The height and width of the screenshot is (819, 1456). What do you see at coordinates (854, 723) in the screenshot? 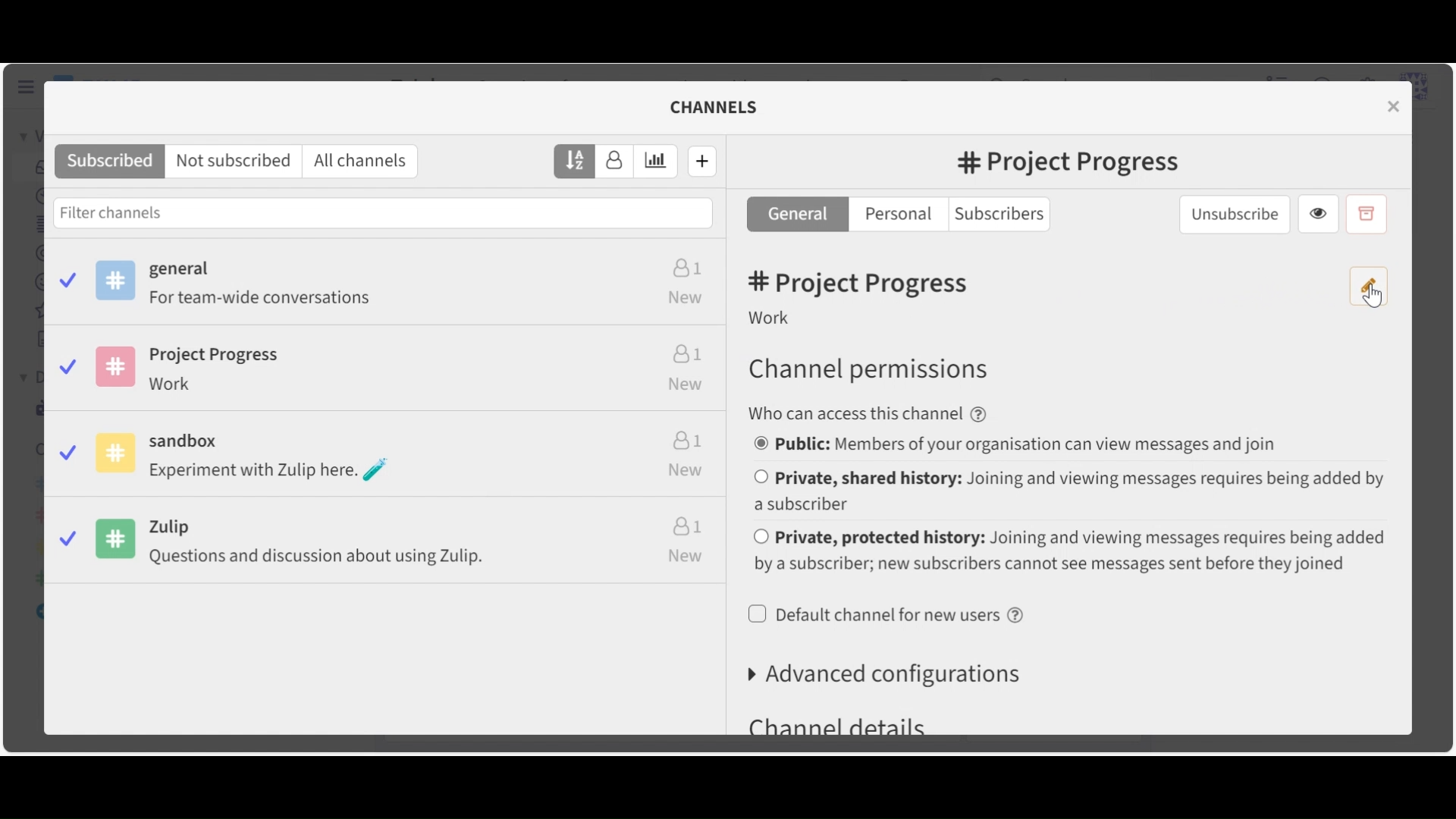
I see `channel details` at bounding box center [854, 723].